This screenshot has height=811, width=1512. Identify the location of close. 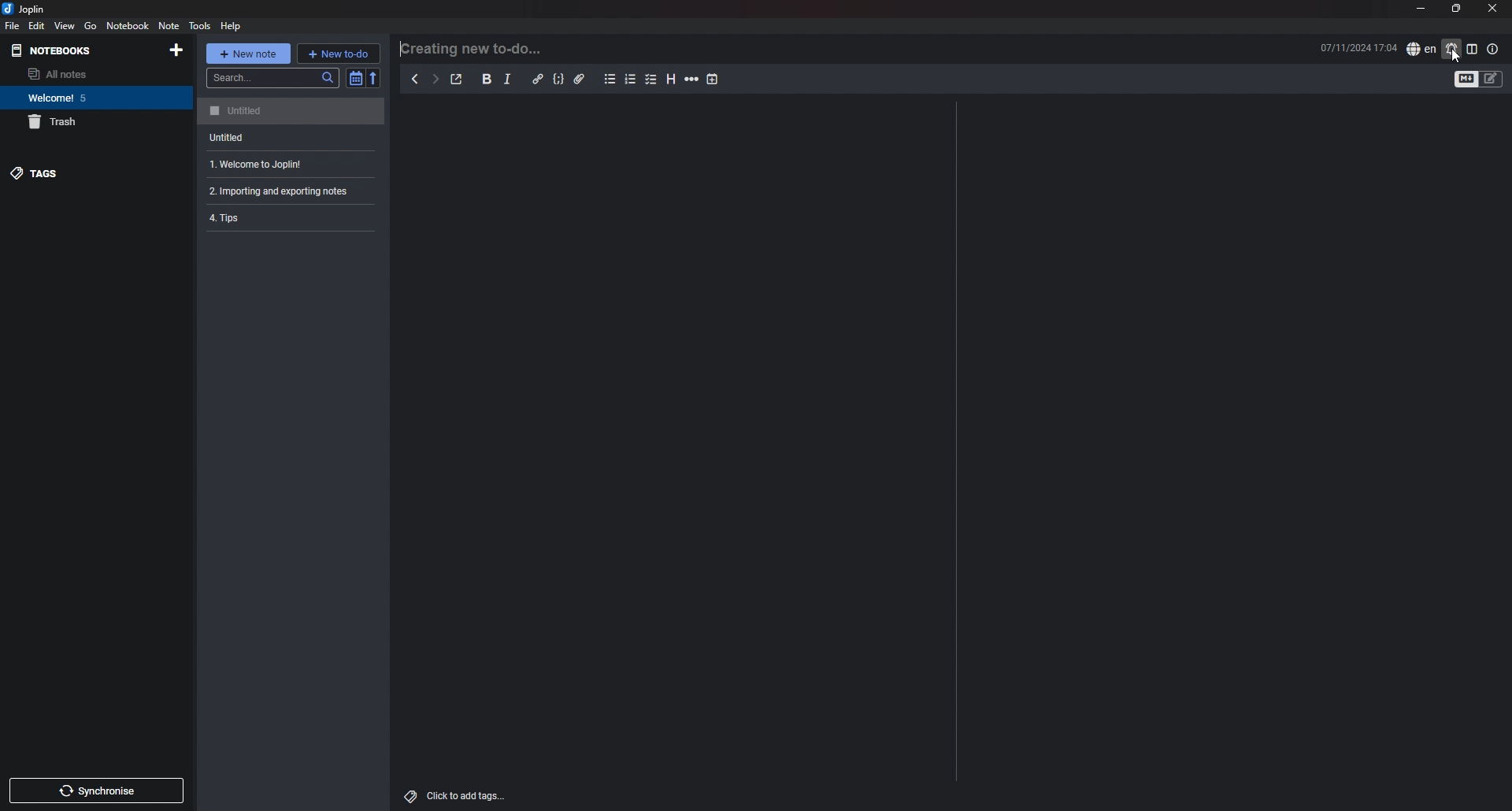
(1492, 9).